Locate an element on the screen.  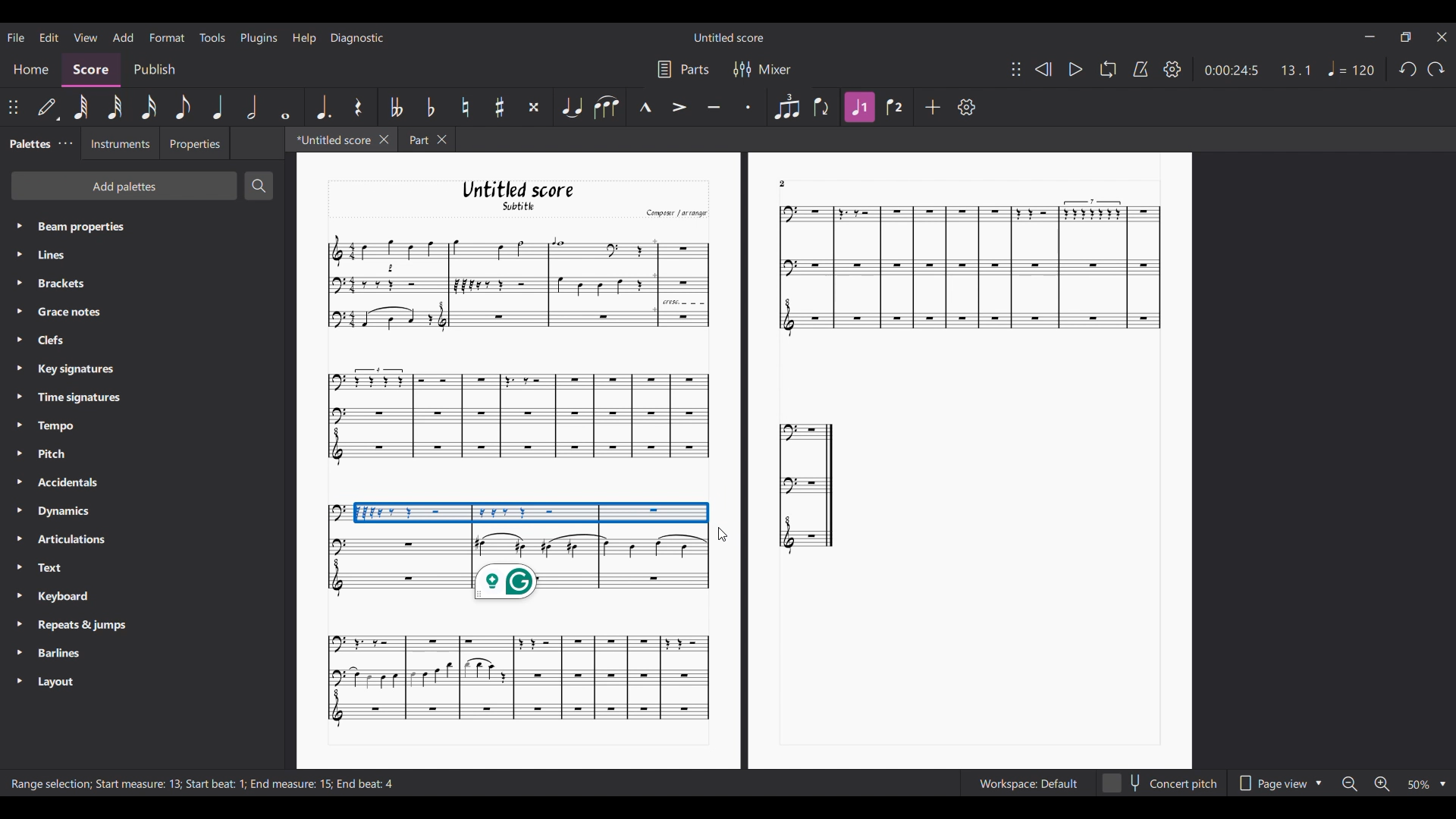
Loop playback is located at coordinates (1108, 68).